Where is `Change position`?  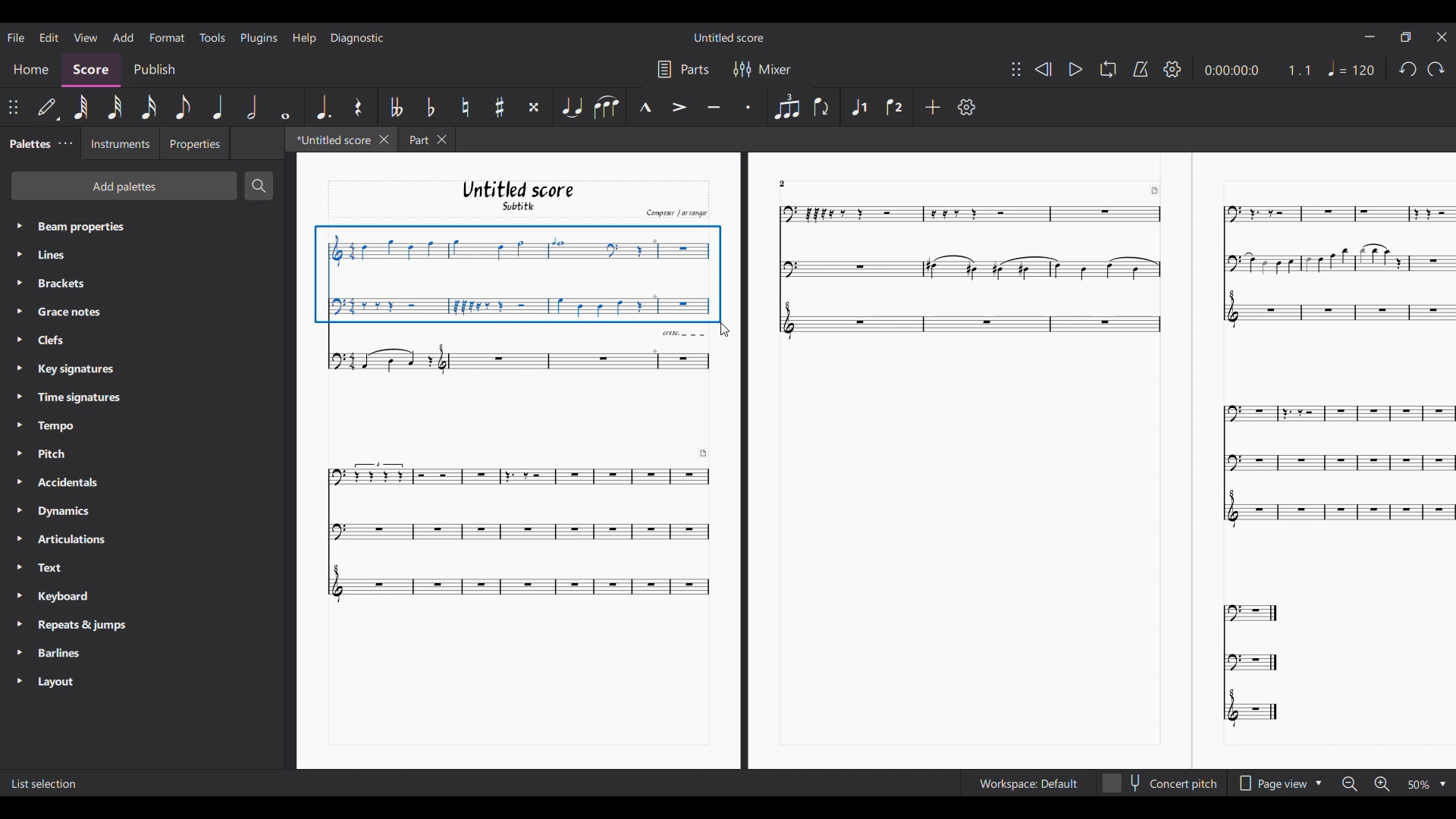
Change position is located at coordinates (1015, 68).